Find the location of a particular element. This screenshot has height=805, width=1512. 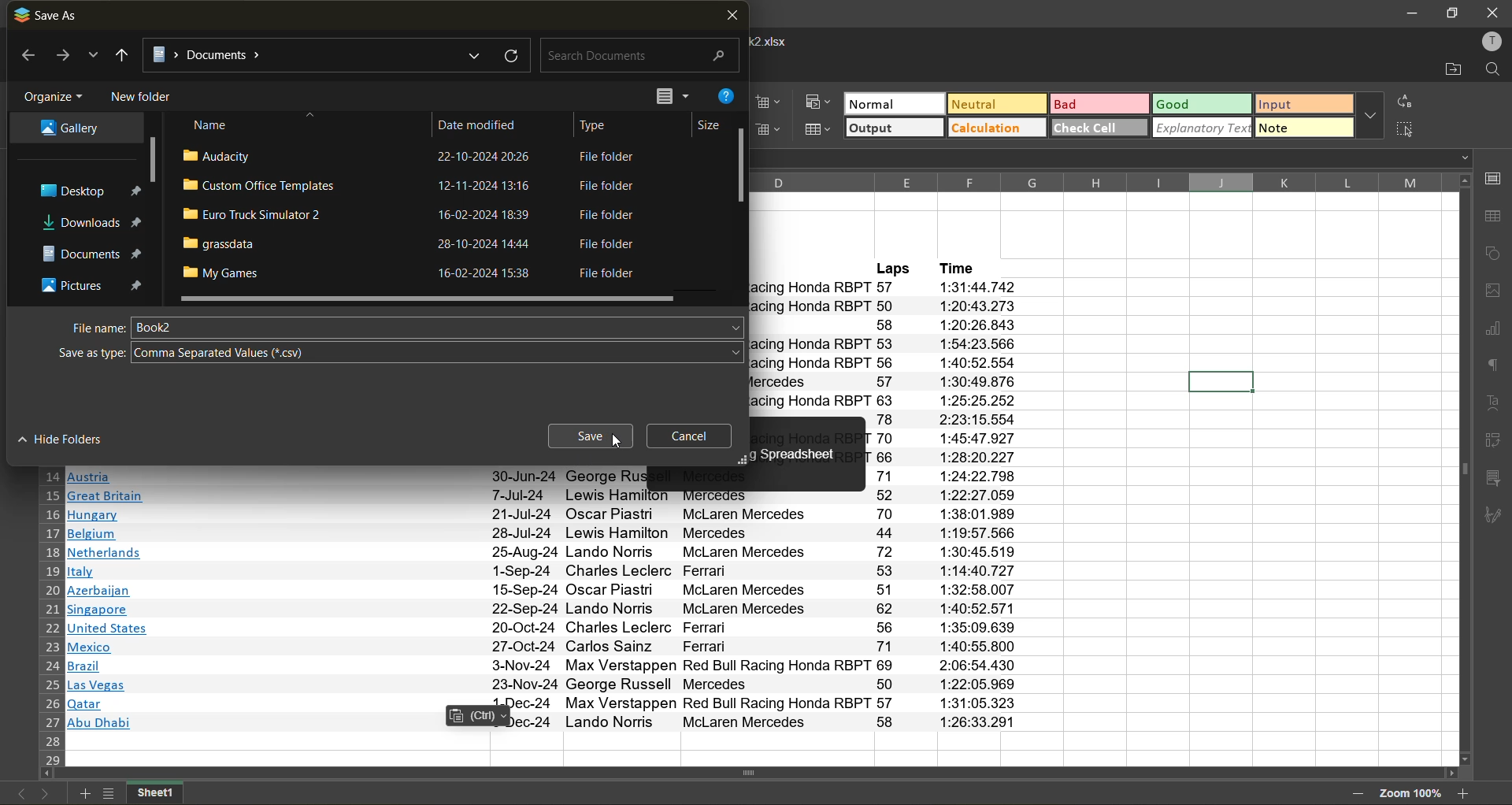

file is located at coordinates (413, 187).